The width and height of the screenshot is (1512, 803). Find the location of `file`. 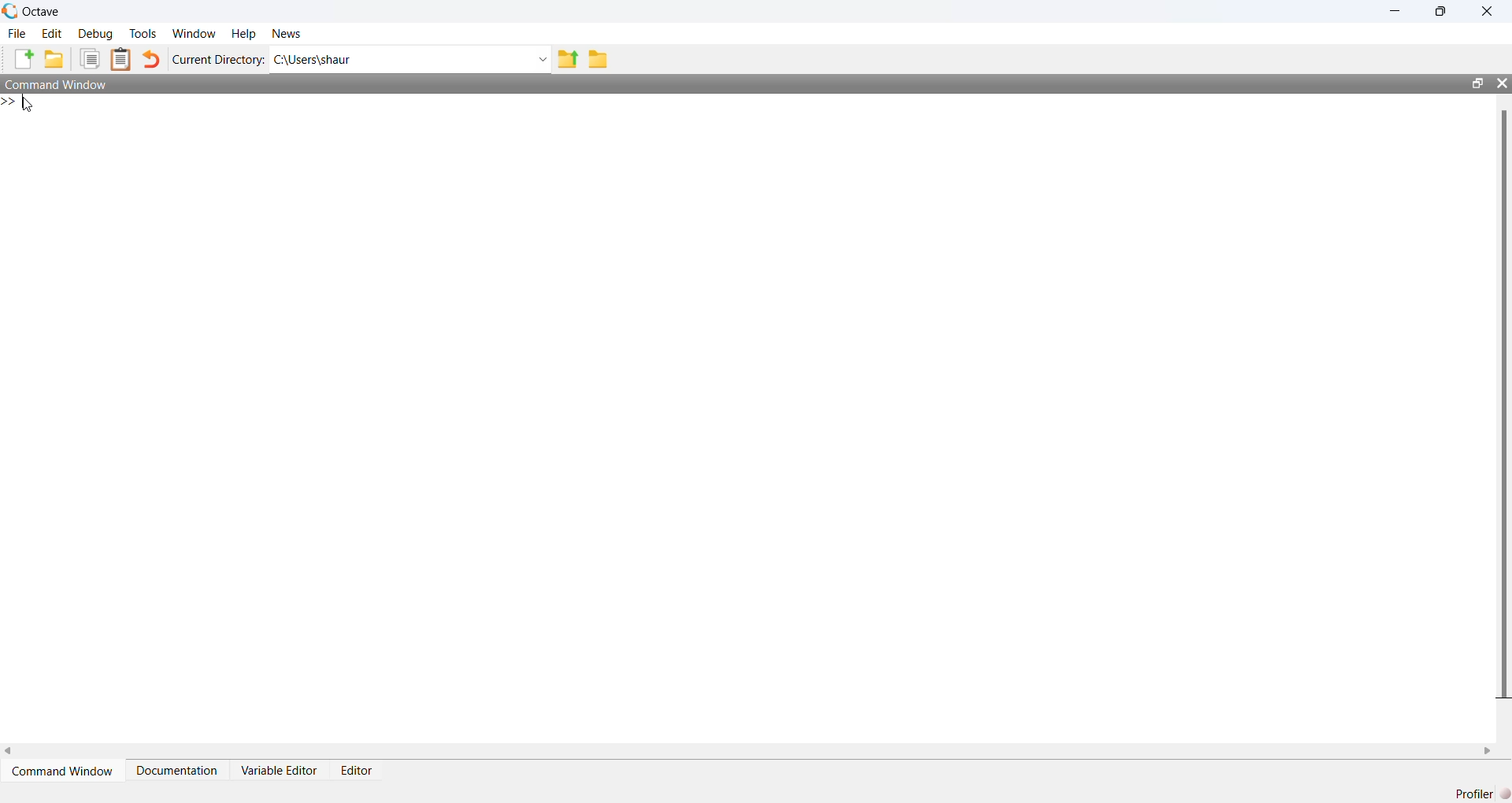

file is located at coordinates (18, 33).